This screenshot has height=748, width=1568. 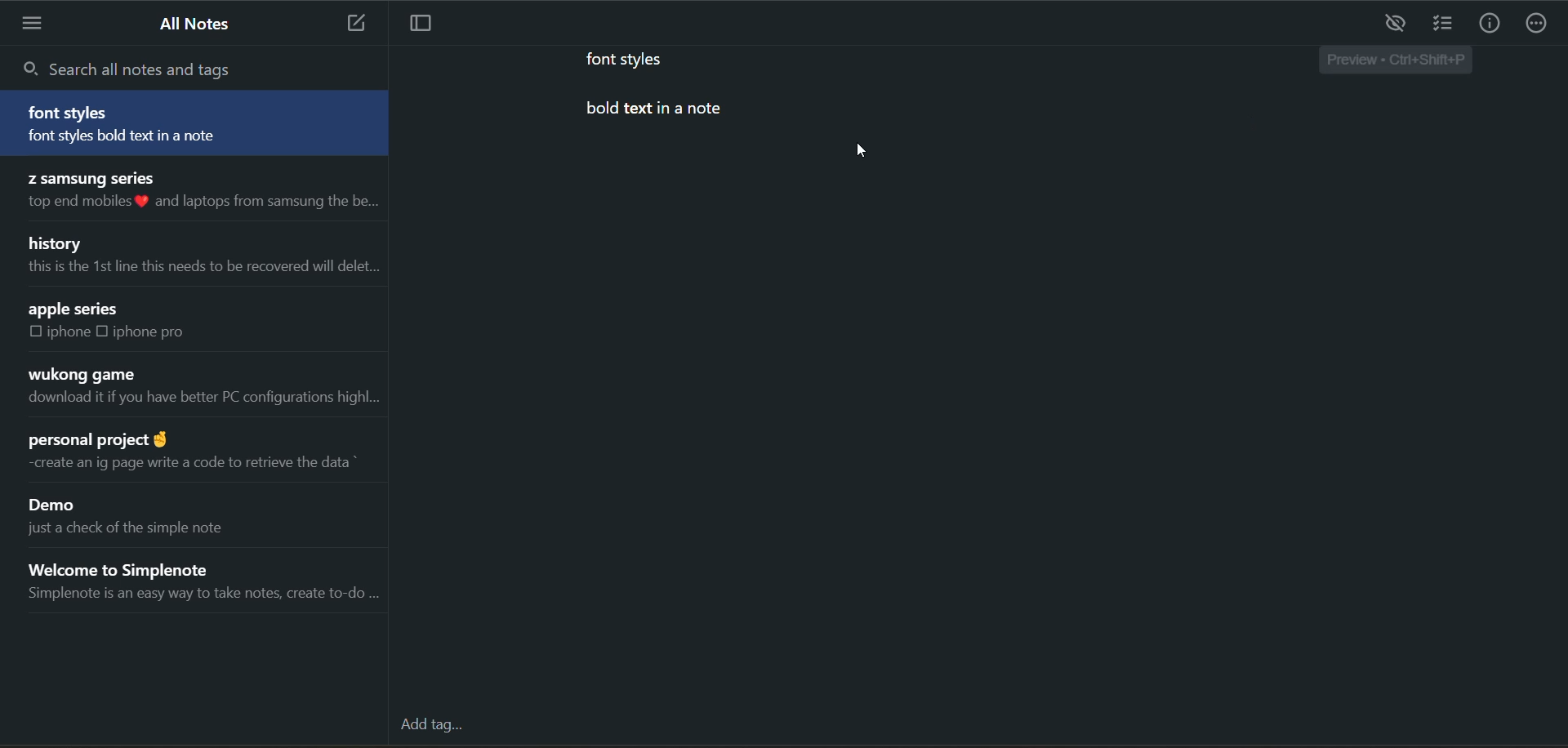 What do you see at coordinates (70, 332) in the screenshot?
I see `iphone` at bounding box center [70, 332].